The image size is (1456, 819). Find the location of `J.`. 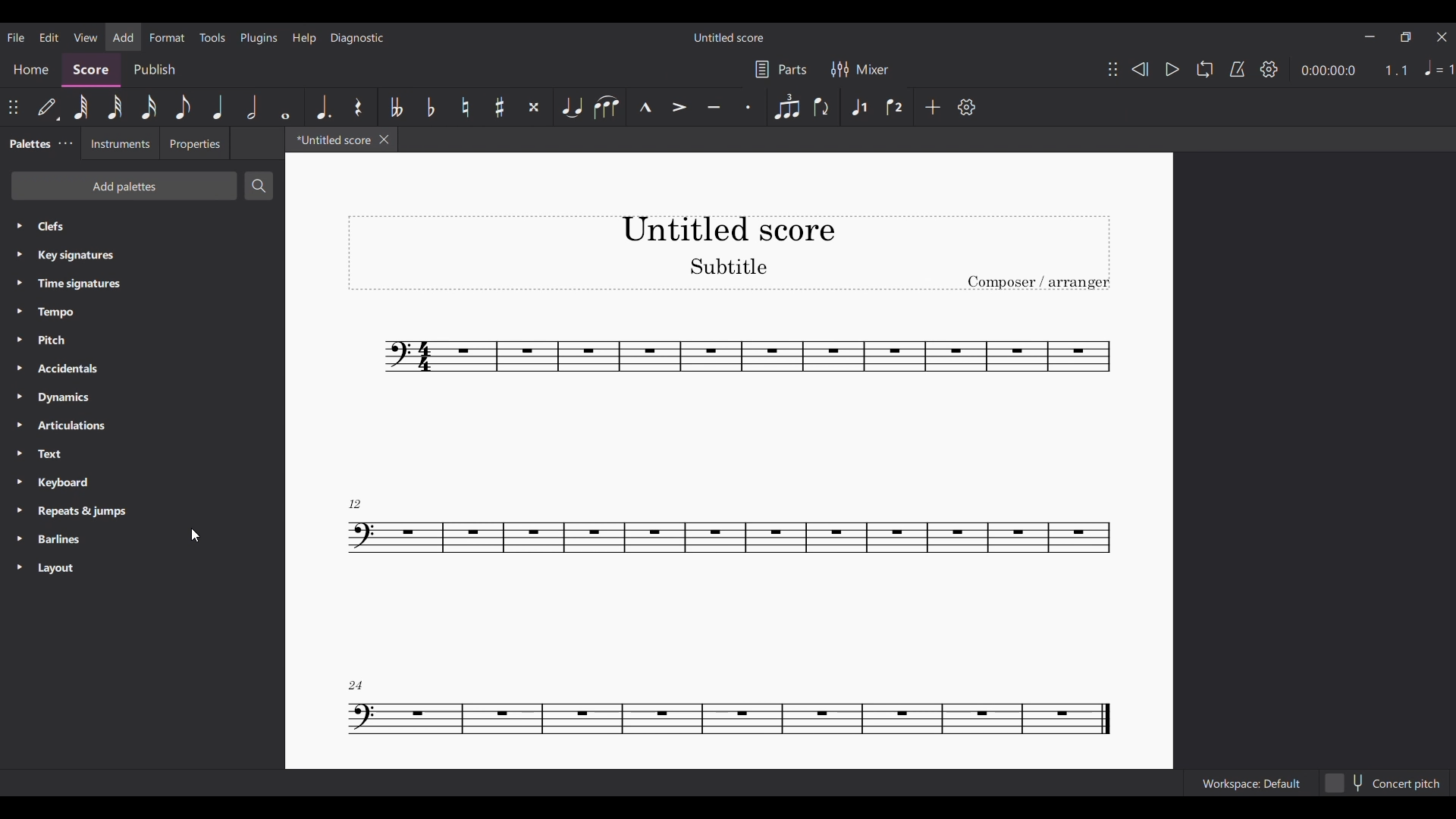

J. is located at coordinates (325, 105).